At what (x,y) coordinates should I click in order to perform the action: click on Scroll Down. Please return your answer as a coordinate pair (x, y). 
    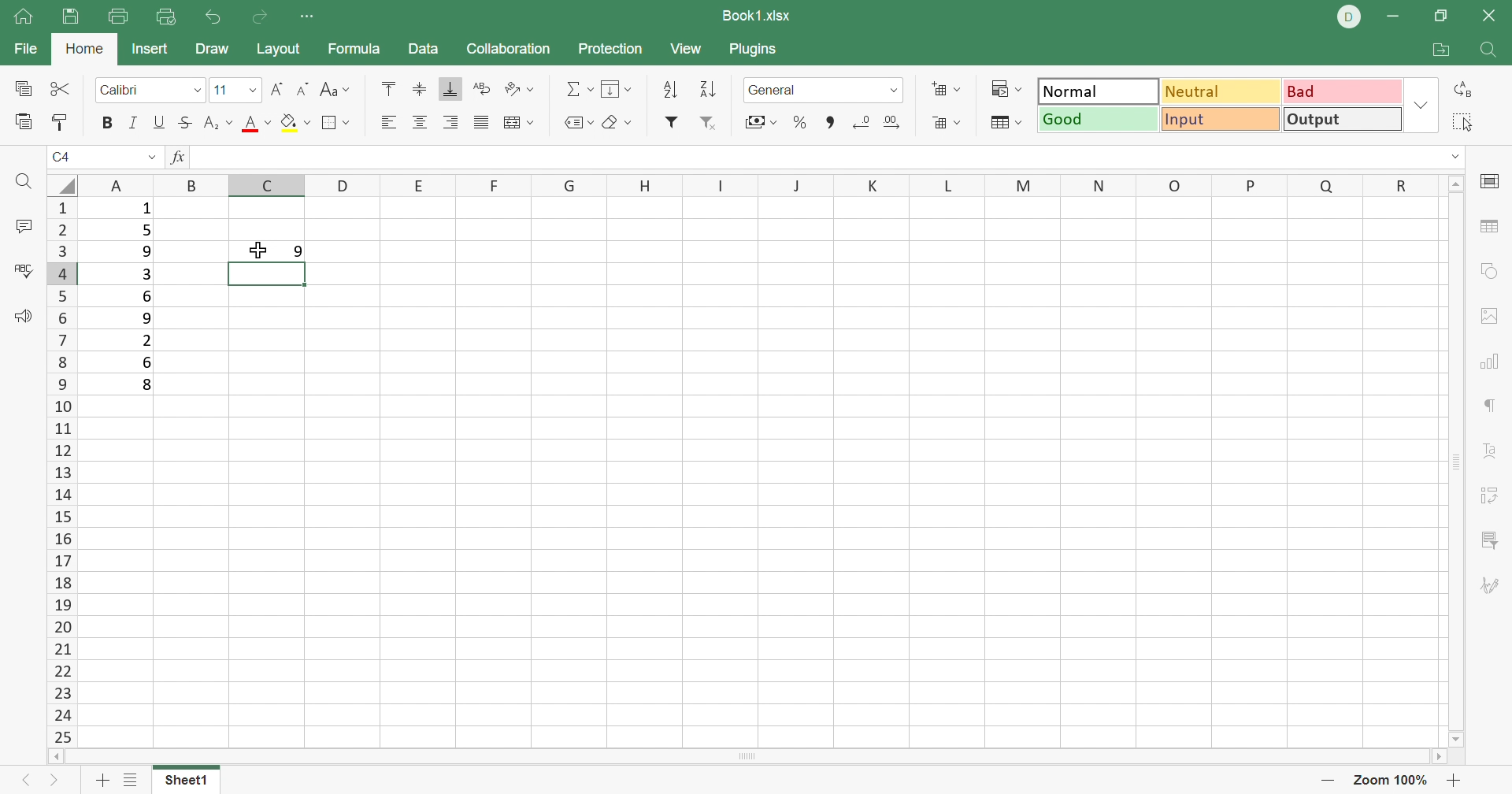
    Looking at the image, I should click on (1455, 739).